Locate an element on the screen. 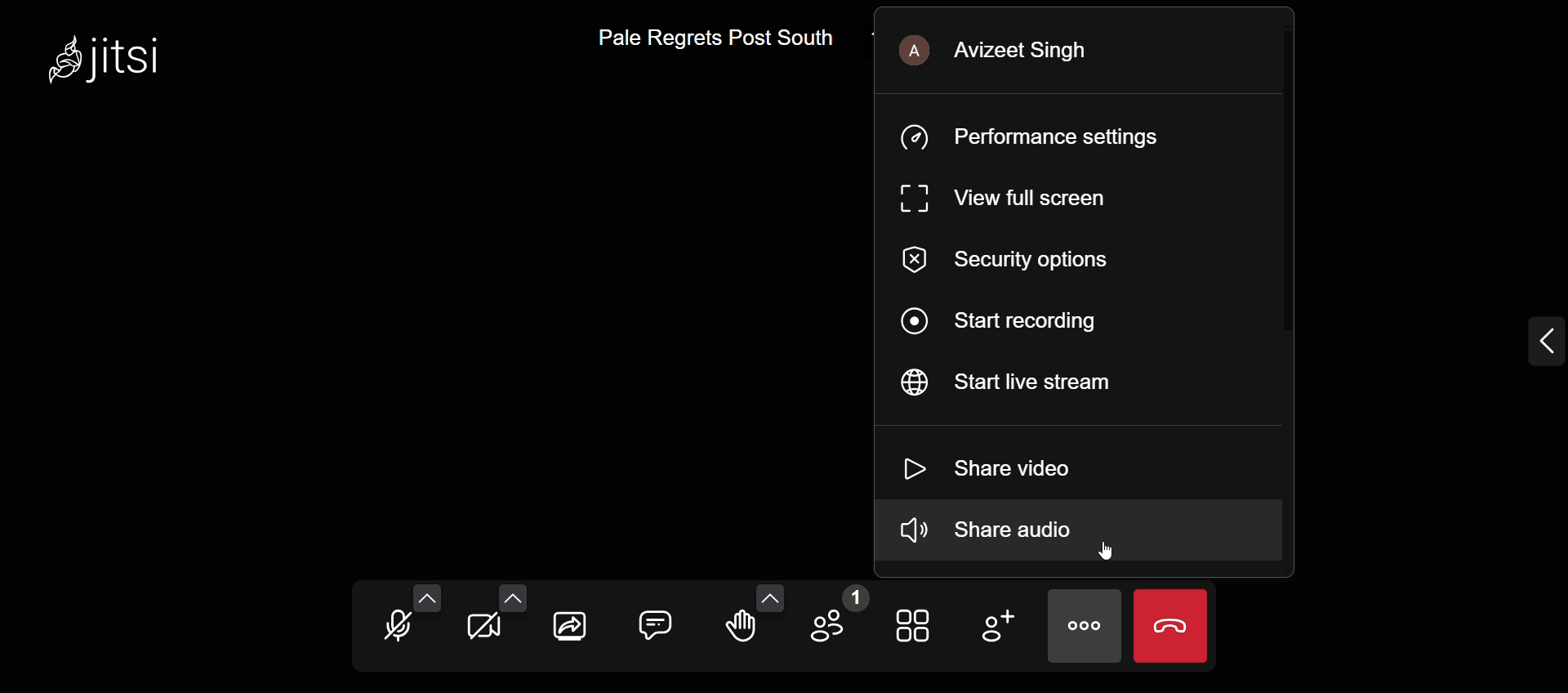 The height and width of the screenshot is (693, 1568). participants is located at coordinates (839, 617).